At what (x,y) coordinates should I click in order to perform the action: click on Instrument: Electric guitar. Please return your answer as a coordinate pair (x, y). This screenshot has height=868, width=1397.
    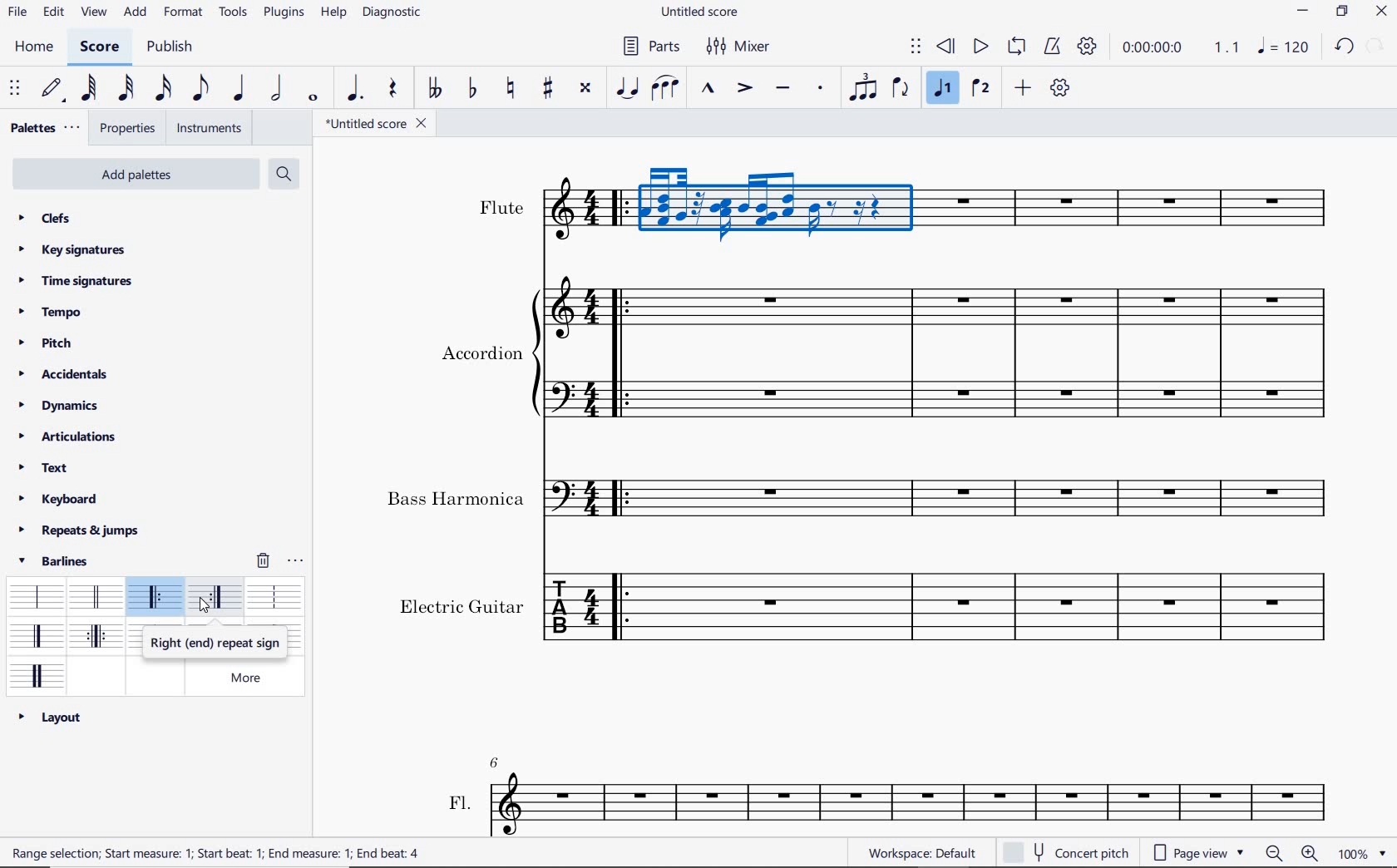
    Looking at the image, I should click on (992, 606).